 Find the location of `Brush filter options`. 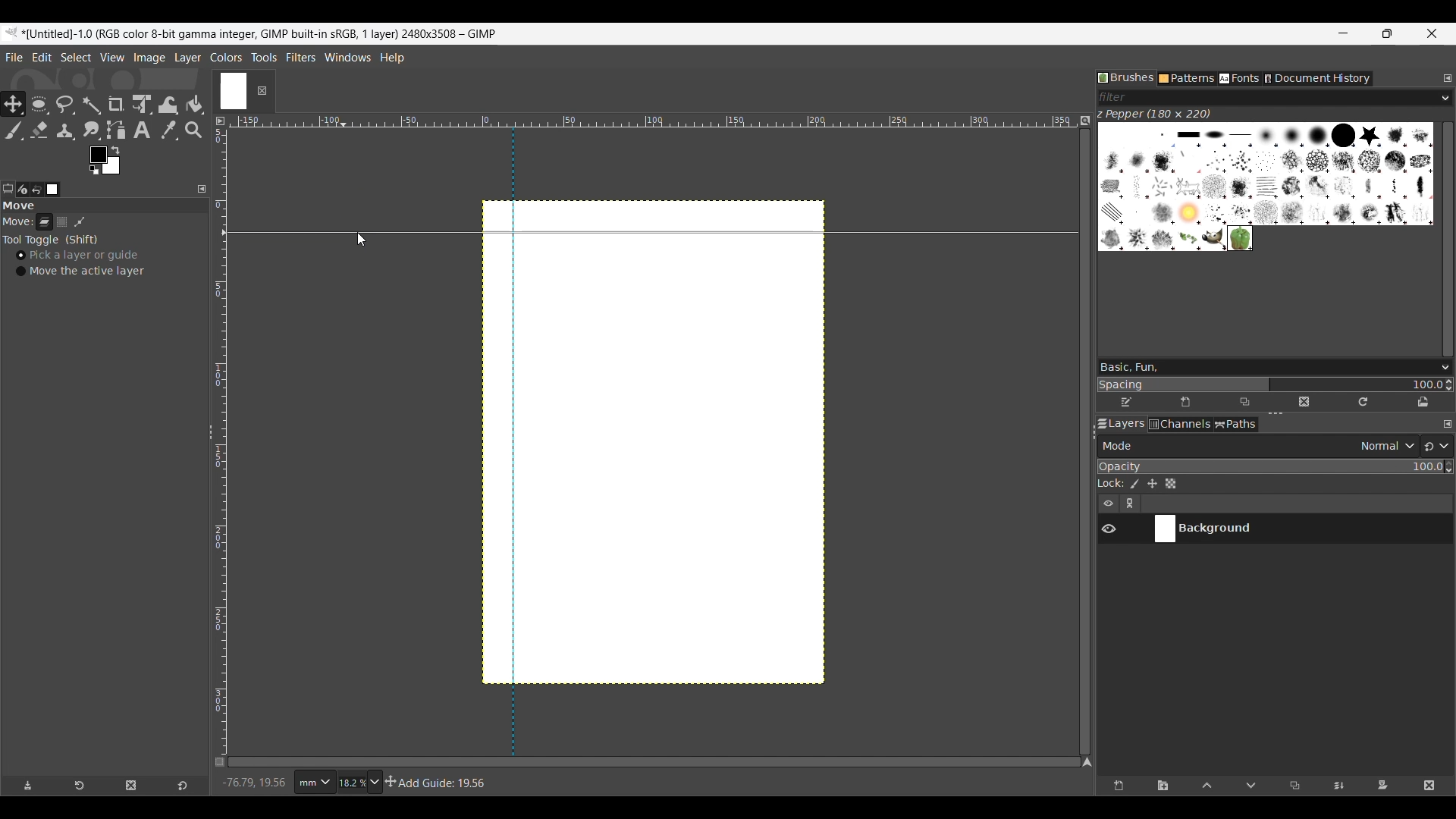

Brush filter options is located at coordinates (1445, 99).